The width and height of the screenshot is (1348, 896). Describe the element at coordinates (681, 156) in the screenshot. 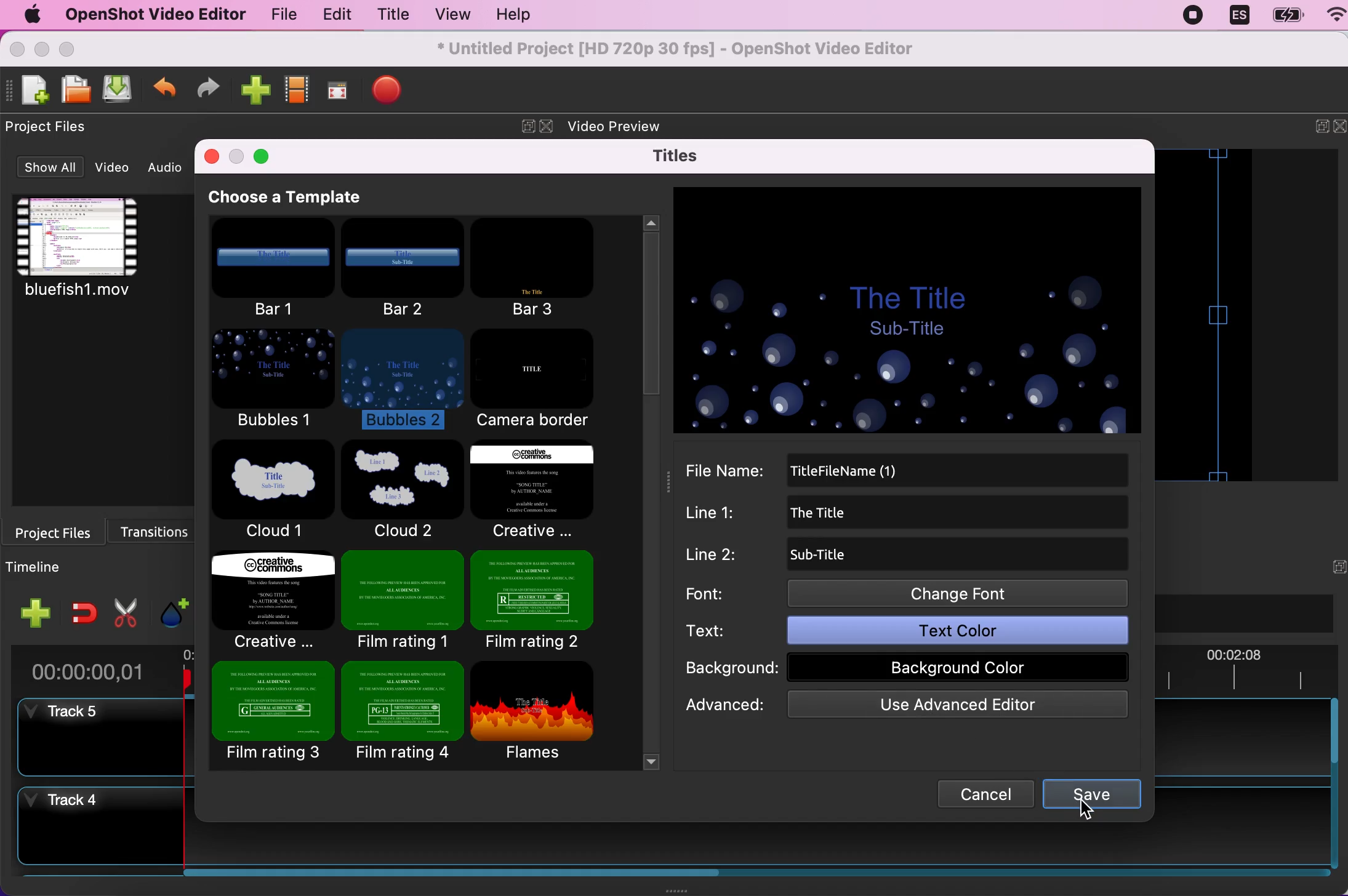

I see `titles` at that location.